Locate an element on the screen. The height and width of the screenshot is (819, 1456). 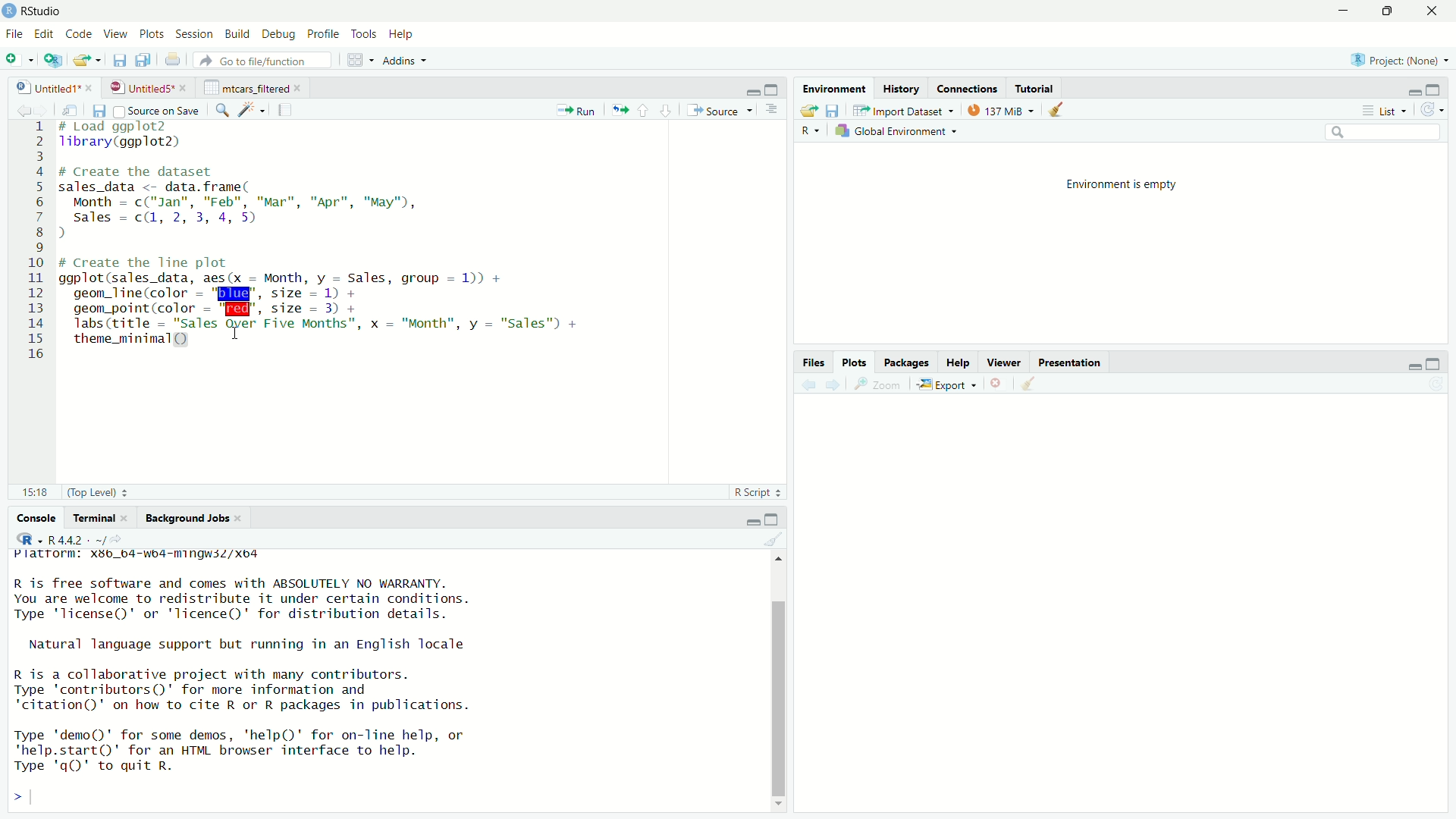
find and replace is located at coordinates (222, 111).